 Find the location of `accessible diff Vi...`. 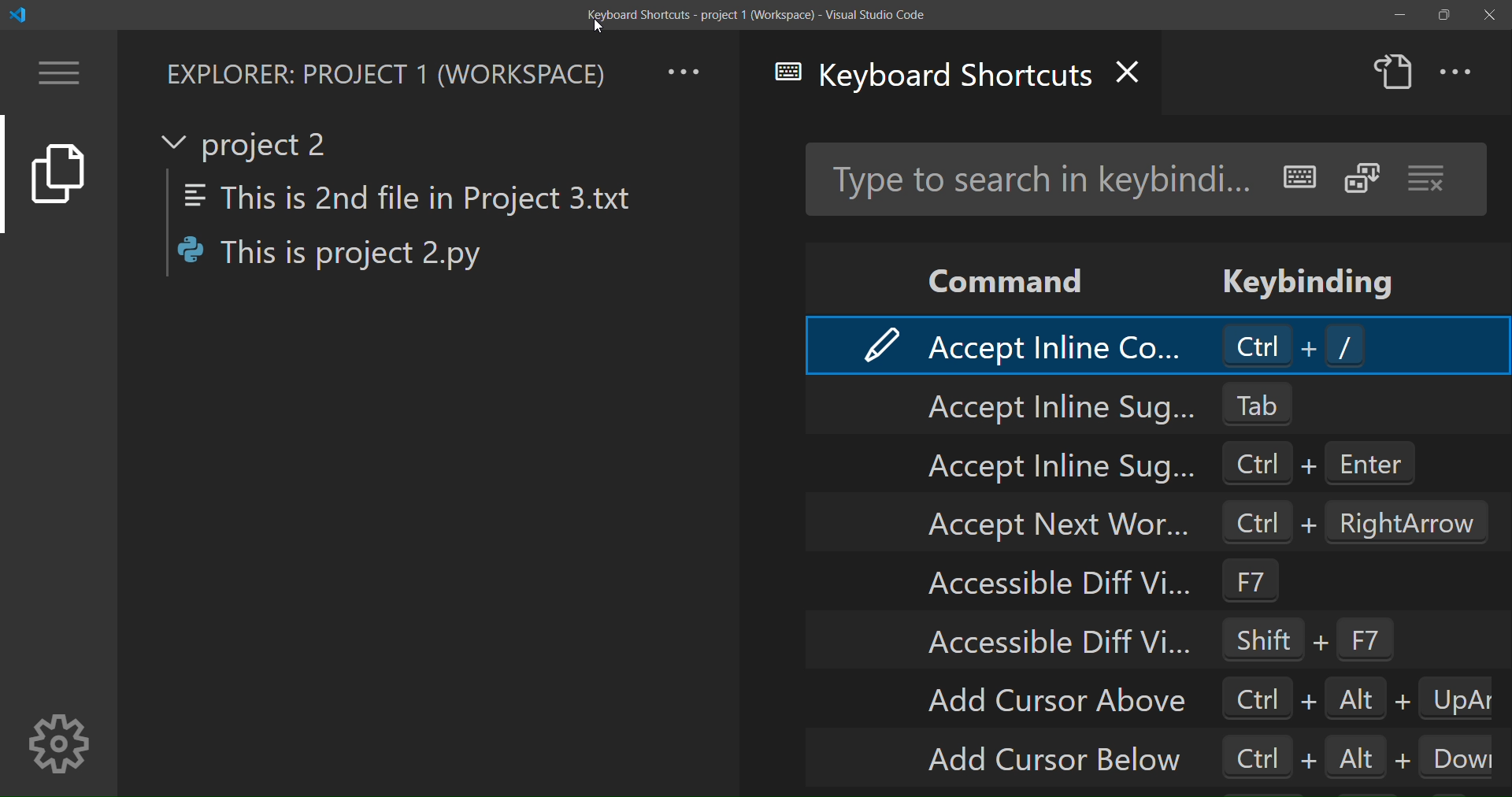

accessible diff Vi... is located at coordinates (1058, 585).